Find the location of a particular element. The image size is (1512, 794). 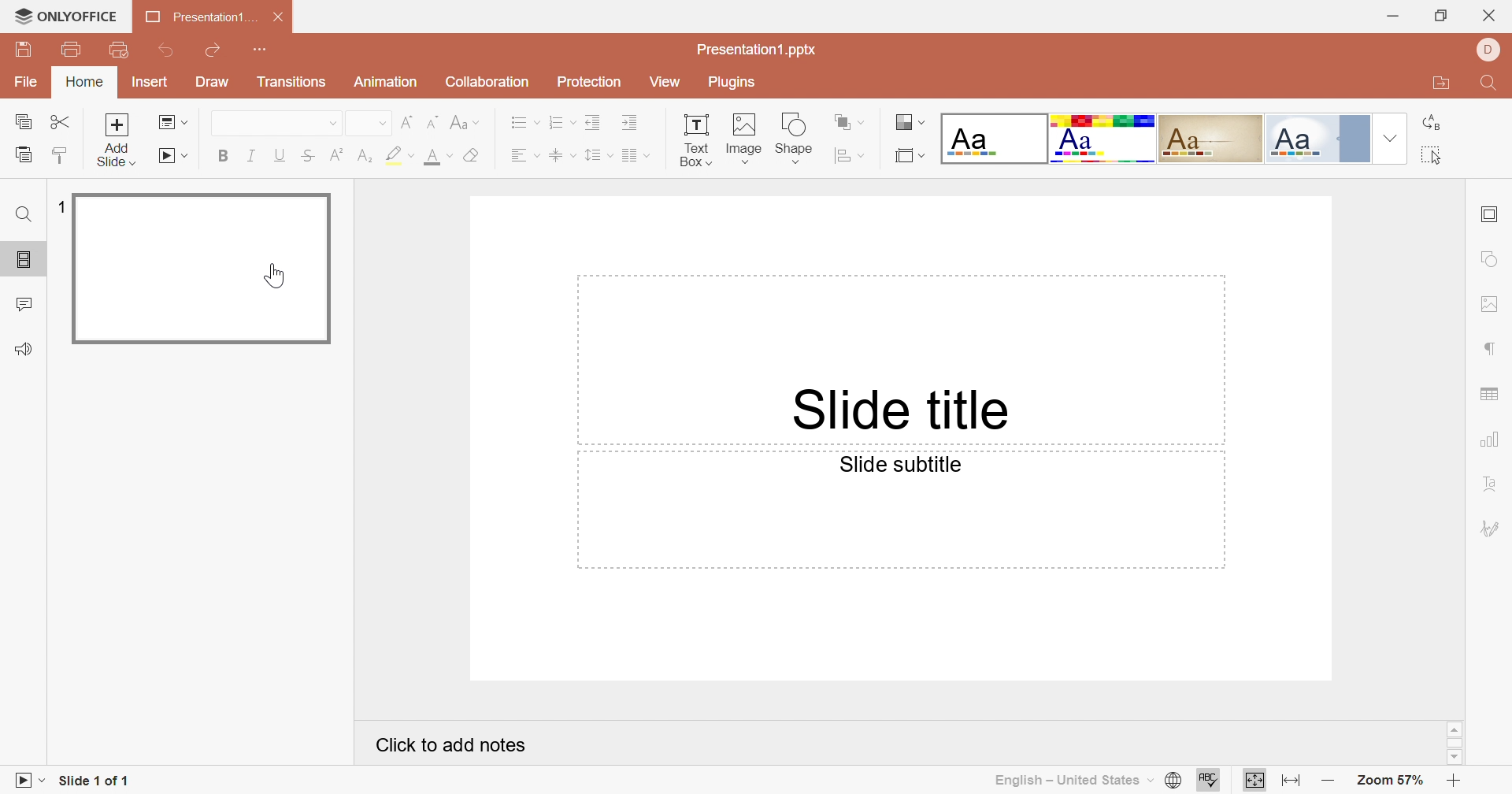

Italic is located at coordinates (253, 156).